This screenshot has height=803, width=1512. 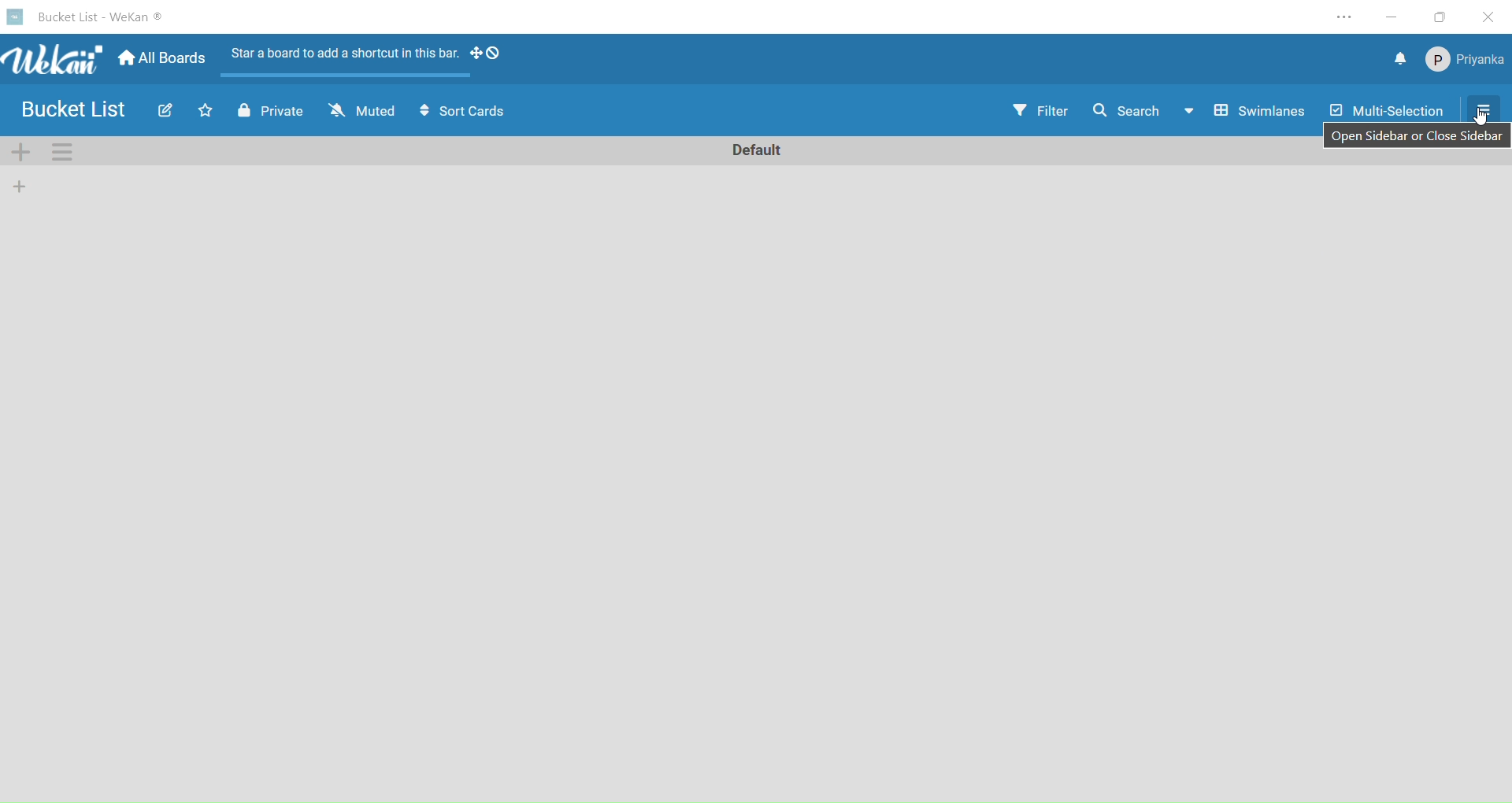 I want to click on add swimlane, so click(x=23, y=153).